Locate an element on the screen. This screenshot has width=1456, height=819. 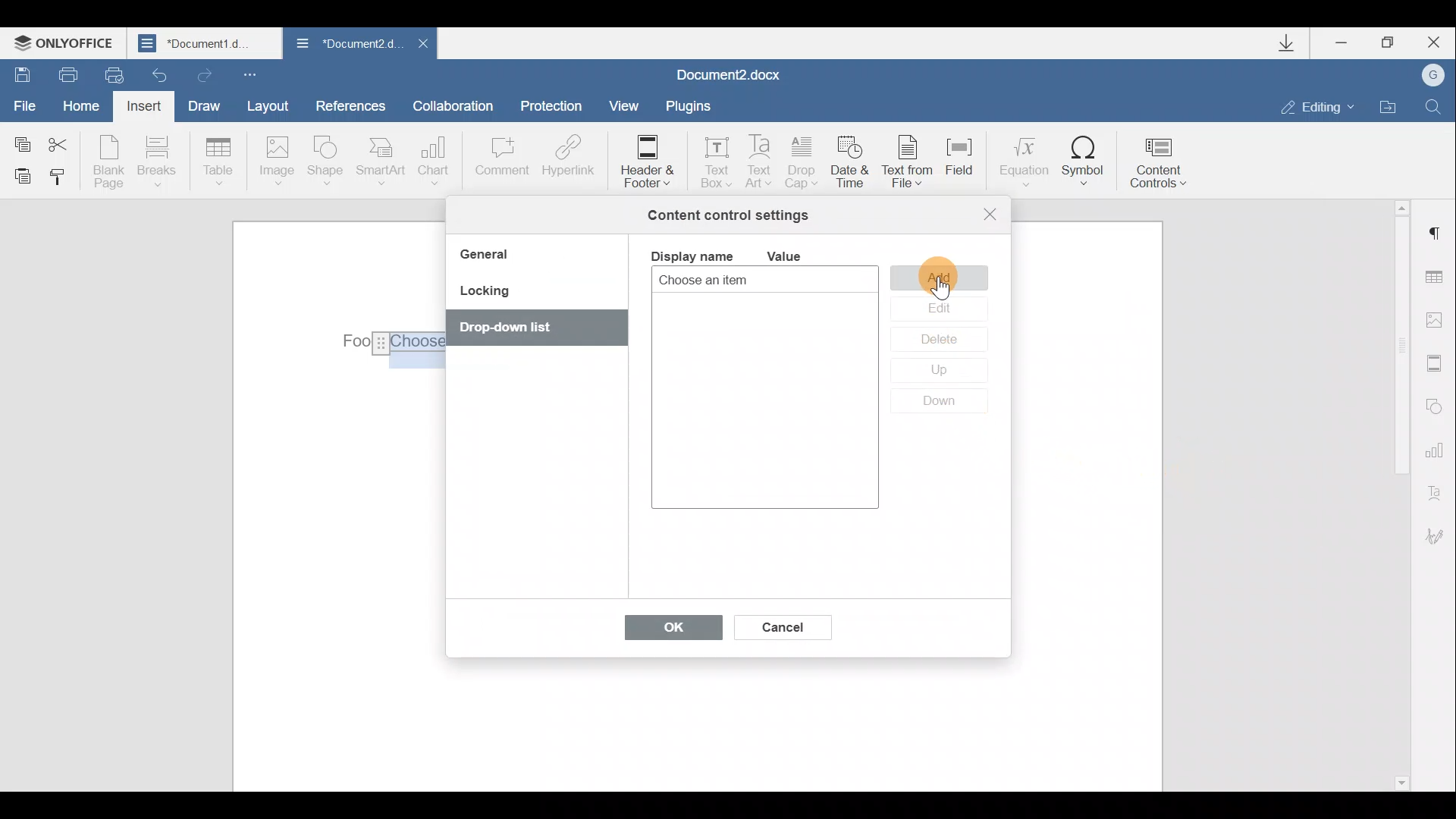
Shapes settings is located at coordinates (1435, 404).